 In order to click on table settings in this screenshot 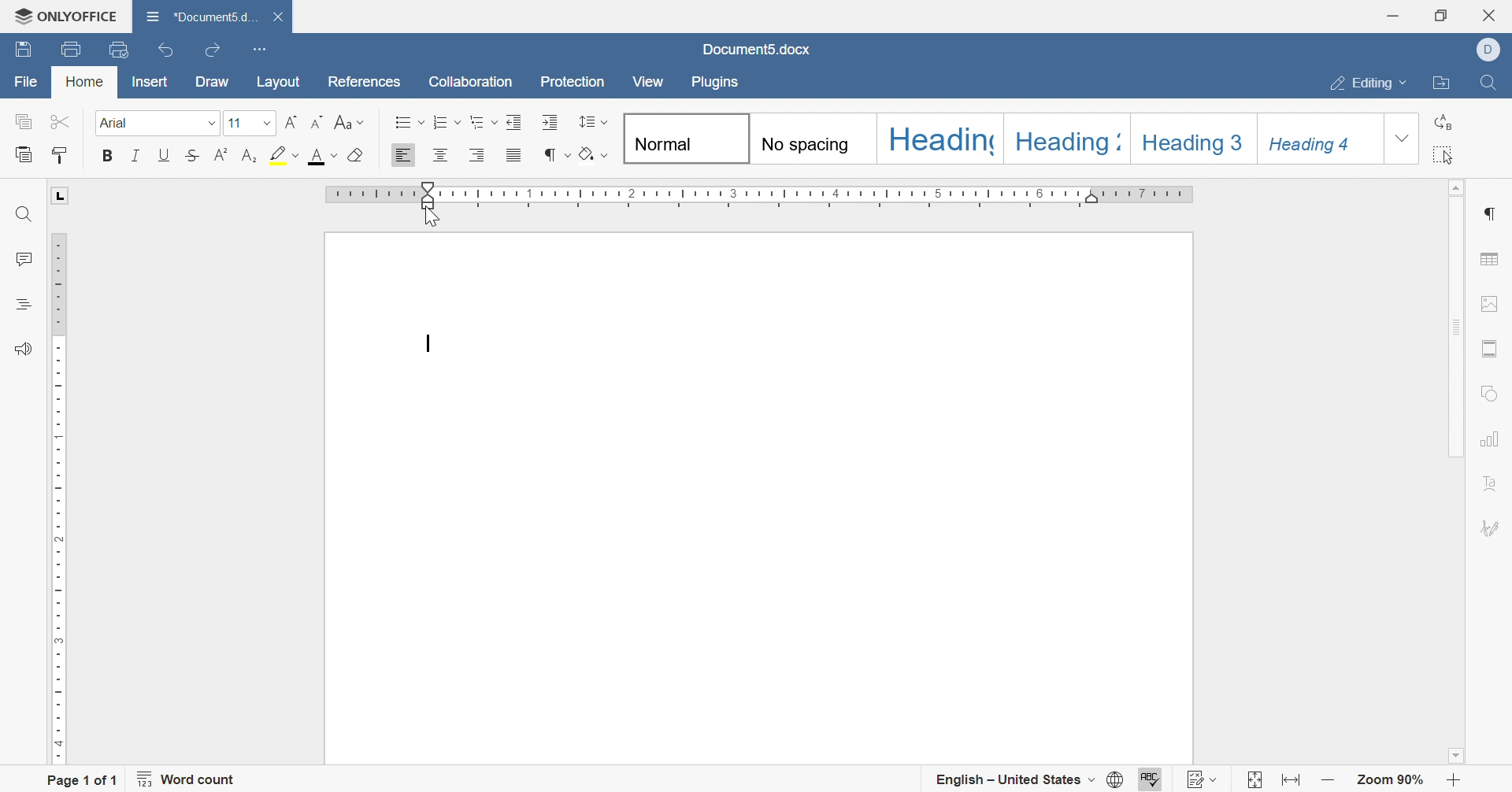, I will do `click(1492, 260)`.